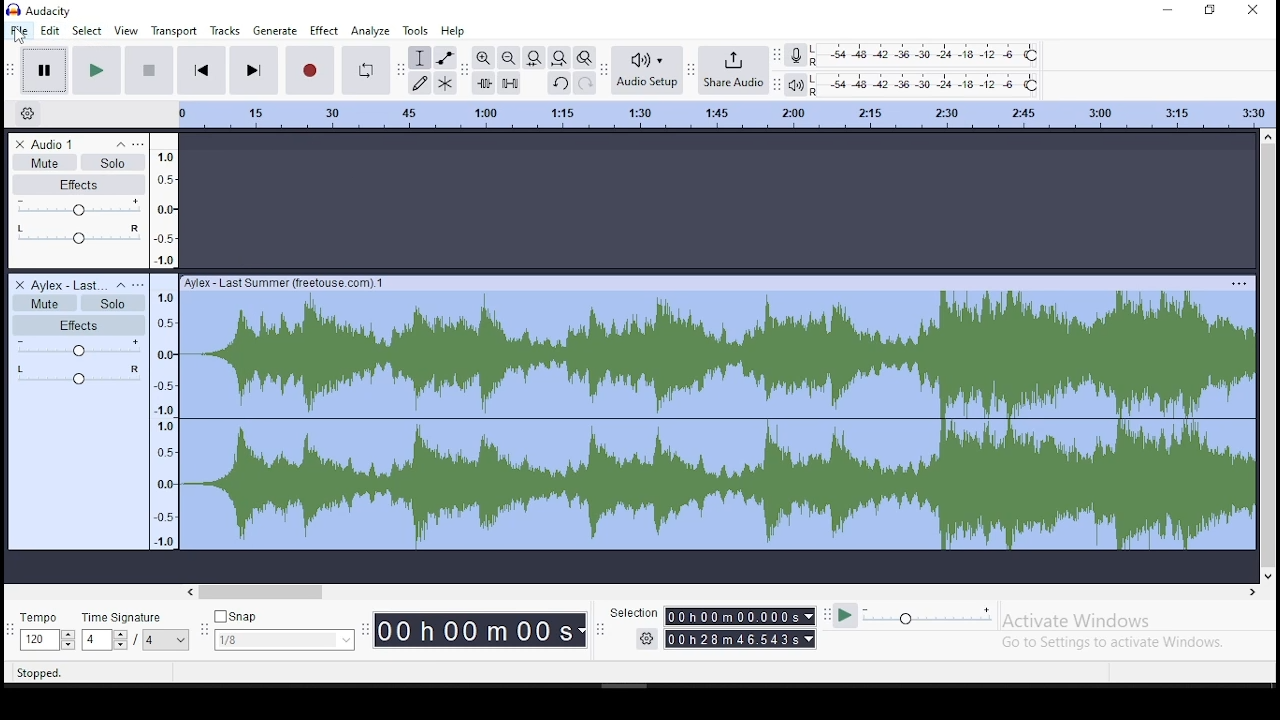 This screenshot has height=720, width=1280. What do you see at coordinates (368, 71) in the screenshot?
I see `enable looping` at bounding box center [368, 71].